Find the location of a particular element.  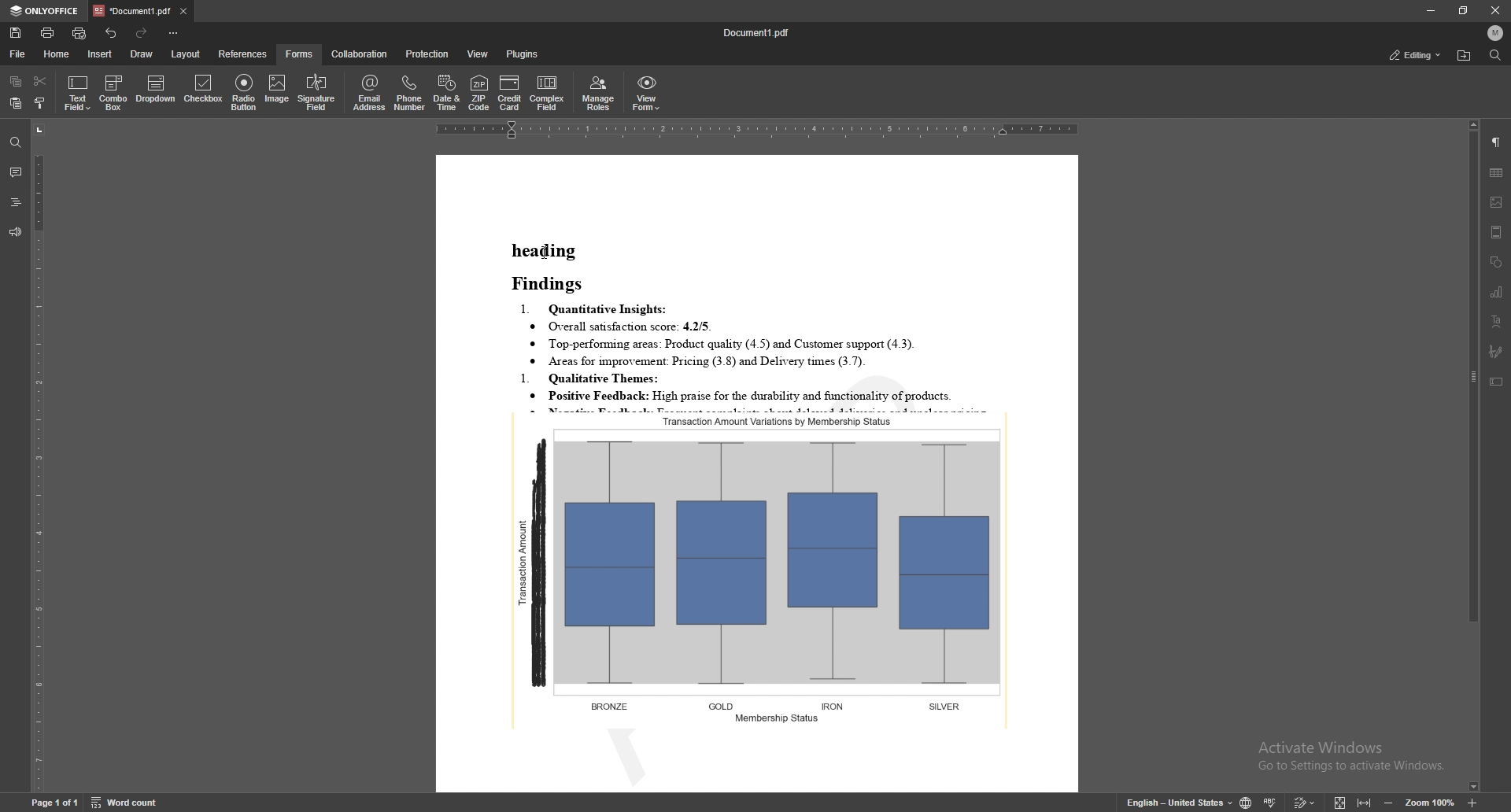

home is located at coordinates (57, 54).